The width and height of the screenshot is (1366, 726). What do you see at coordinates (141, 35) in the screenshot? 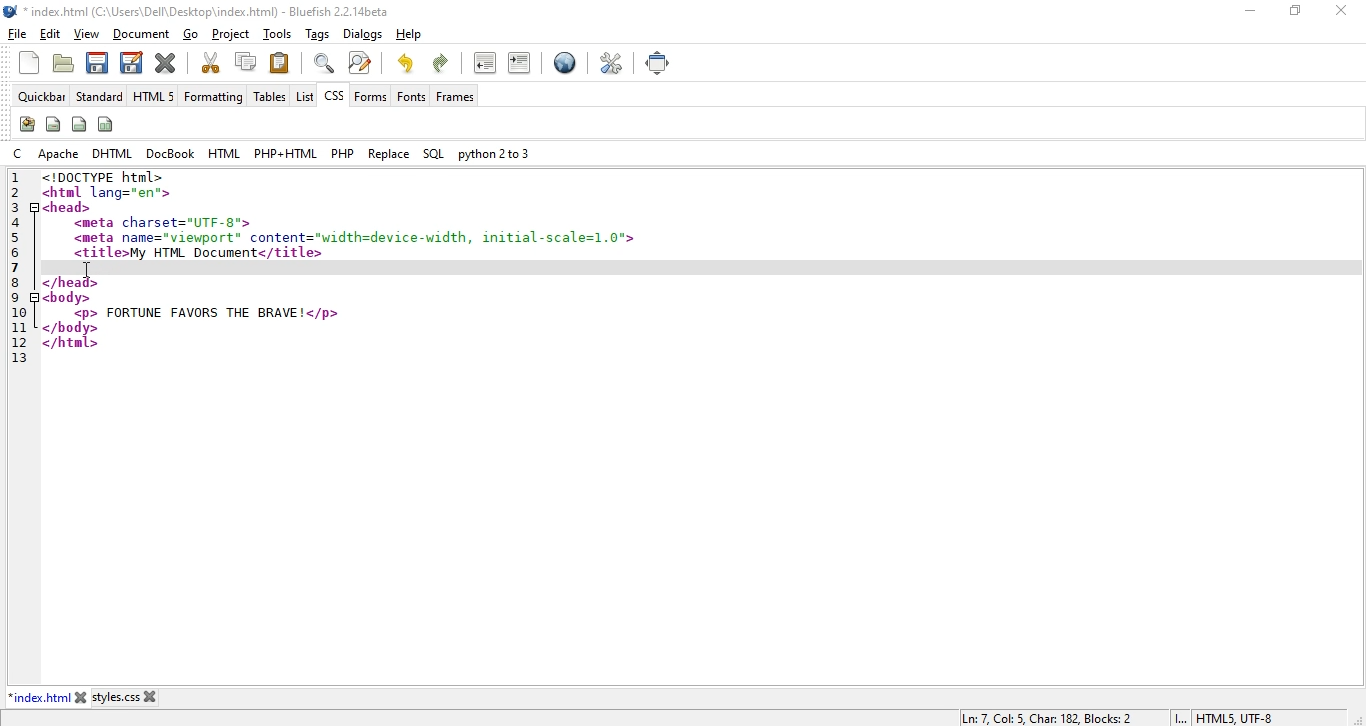
I see `document` at bounding box center [141, 35].